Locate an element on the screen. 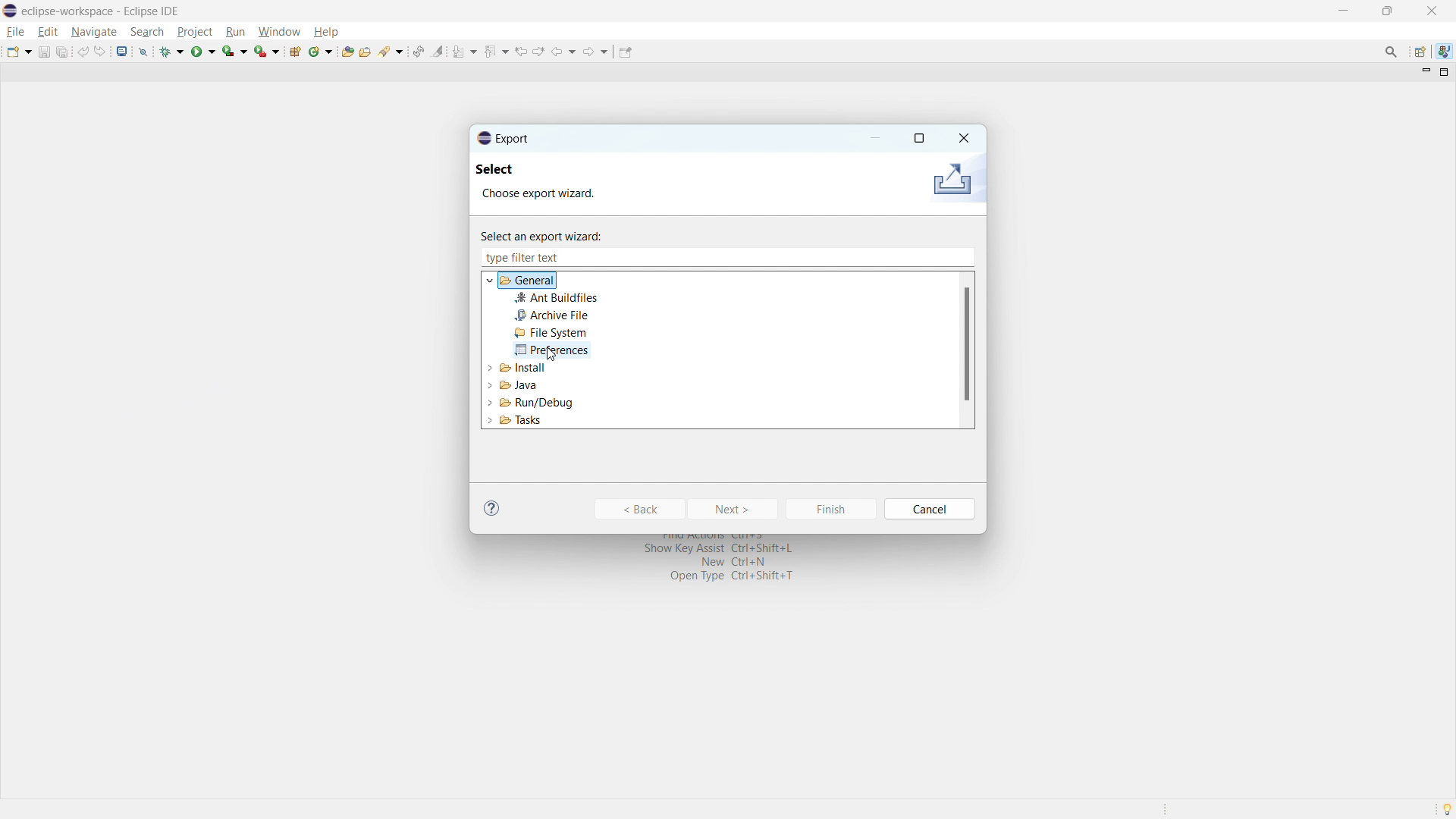 Image resolution: width=1456 pixels, height=819 pixels. run is located at coordinates (235, 32).